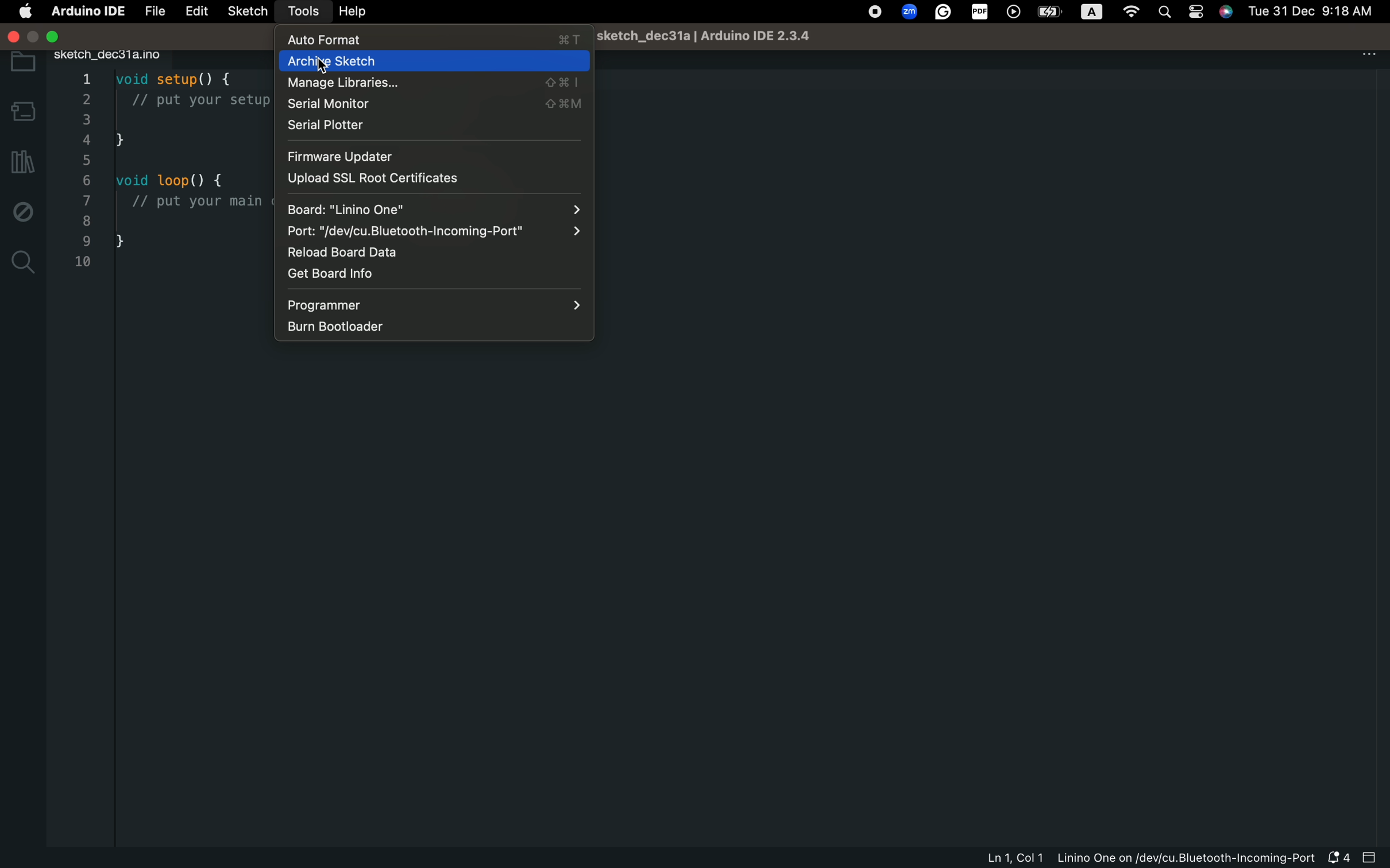 Image resolution: width=1390 pixels, height=868 pixels. Describe the element at coordinates (21, 107) in the screenshot. I see `board manager` at that location.